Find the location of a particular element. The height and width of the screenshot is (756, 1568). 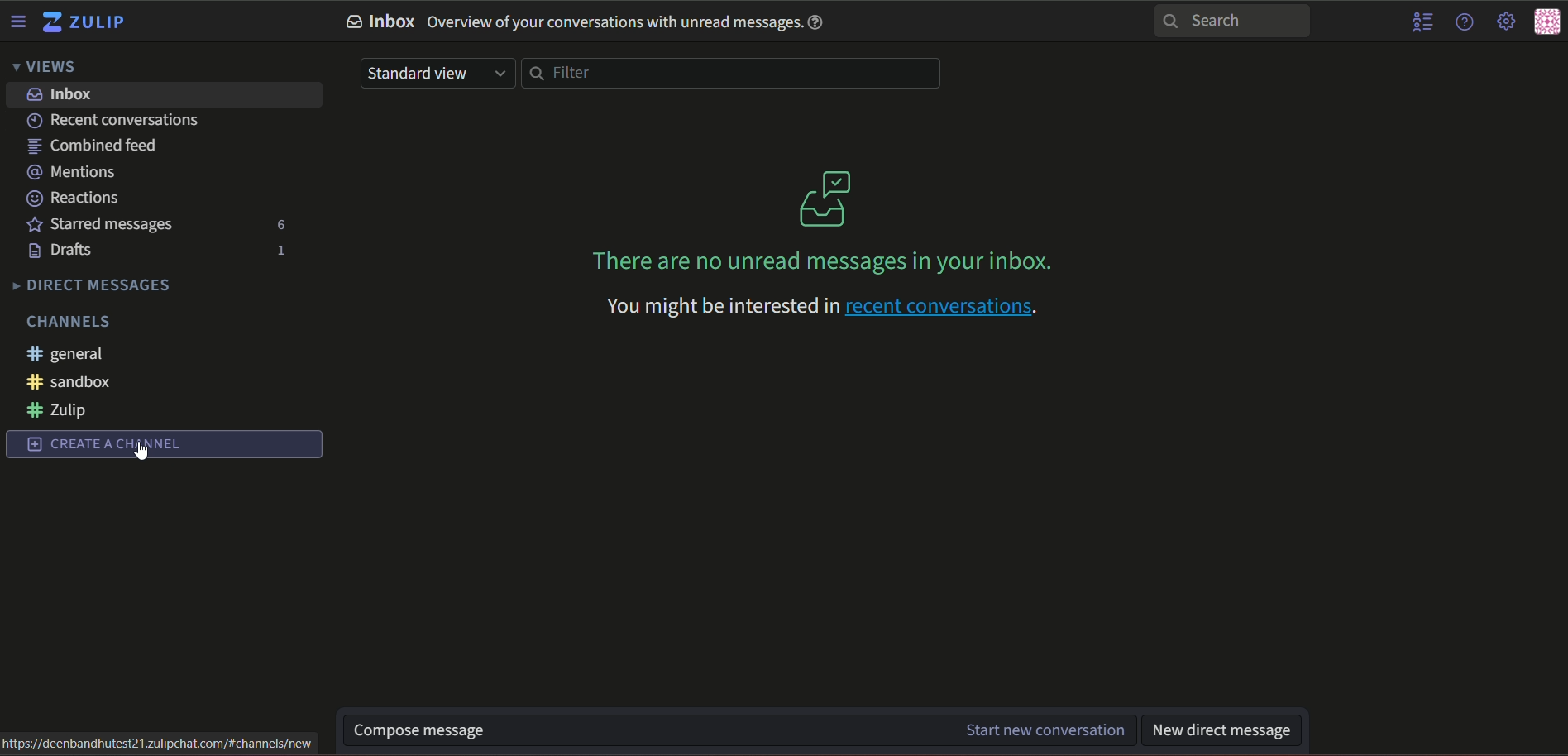

#general is located at coordinates (74, 356).